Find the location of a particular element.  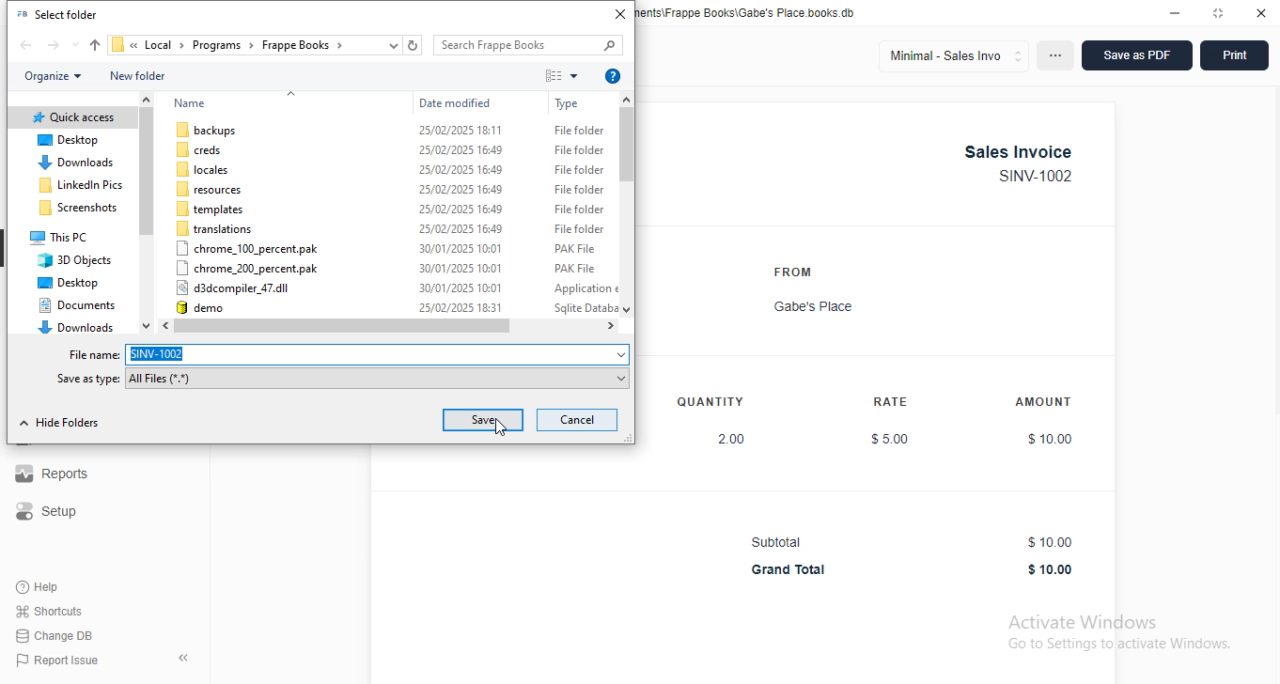

RATE is located at coordinates (892, 401).